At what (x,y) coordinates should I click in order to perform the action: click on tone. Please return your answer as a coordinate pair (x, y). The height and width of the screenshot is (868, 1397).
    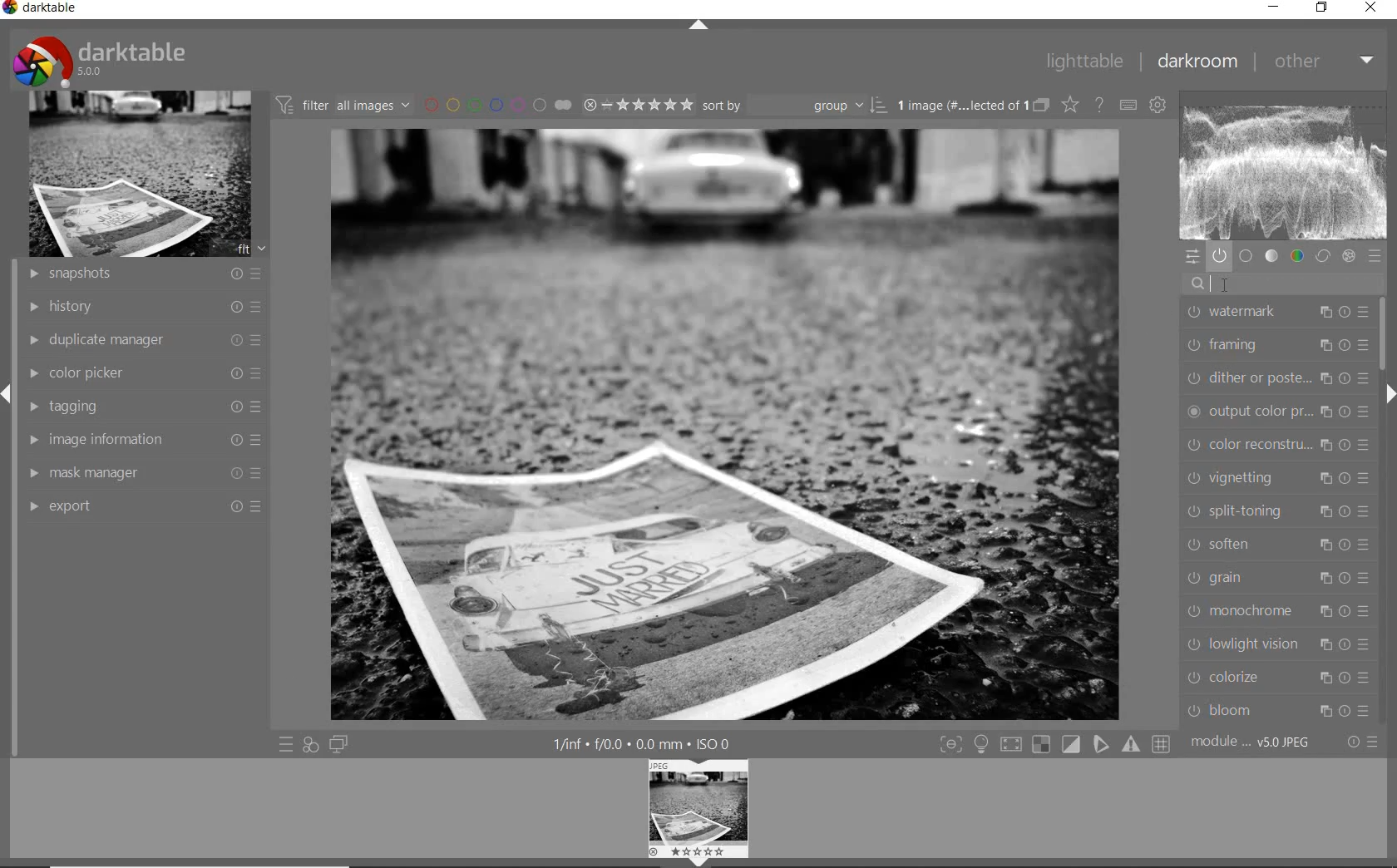
    Looking at the image, I should click on (1271, 256).